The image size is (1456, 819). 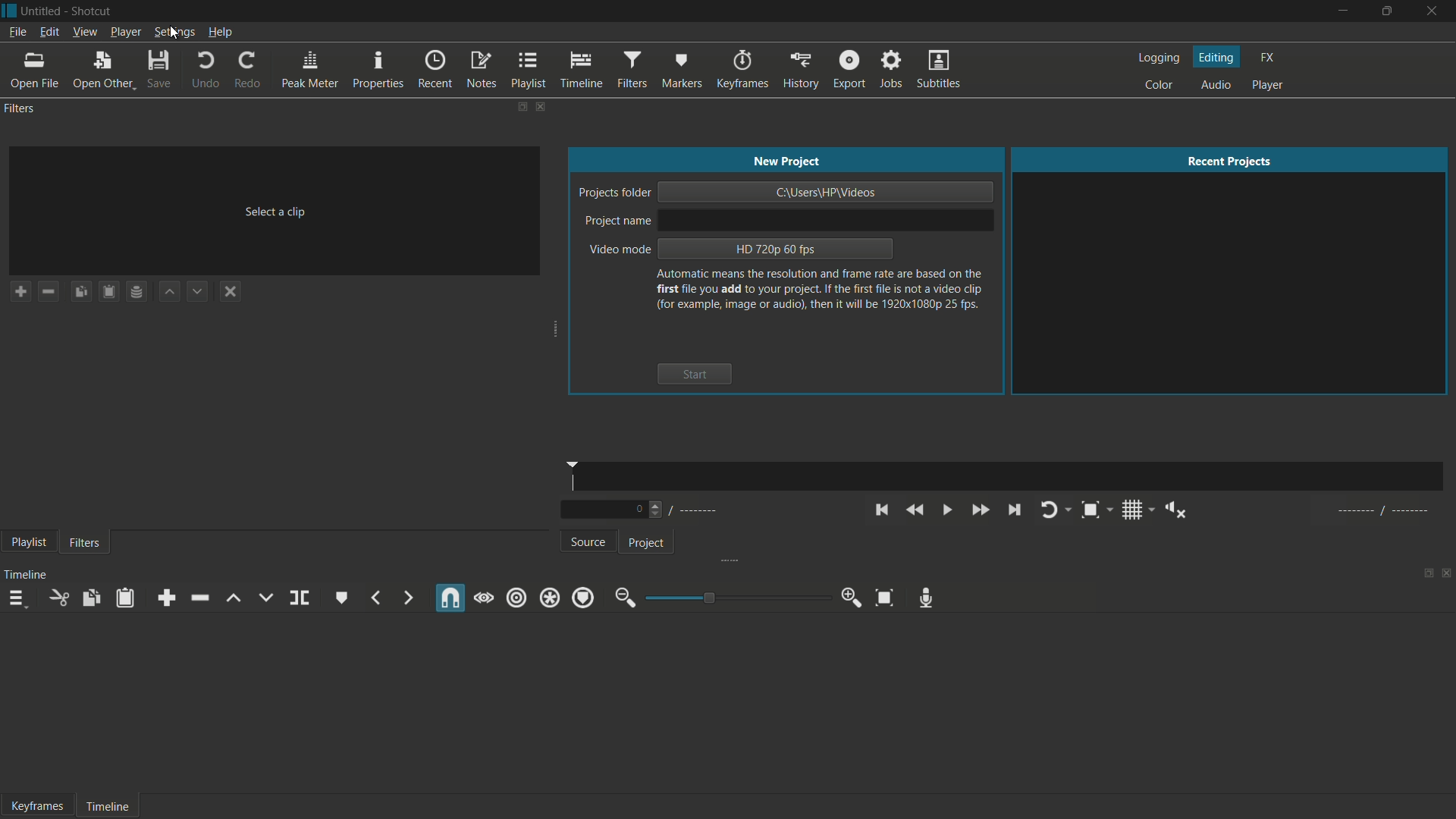 I want to click on markers, so click(x=682, y=70).